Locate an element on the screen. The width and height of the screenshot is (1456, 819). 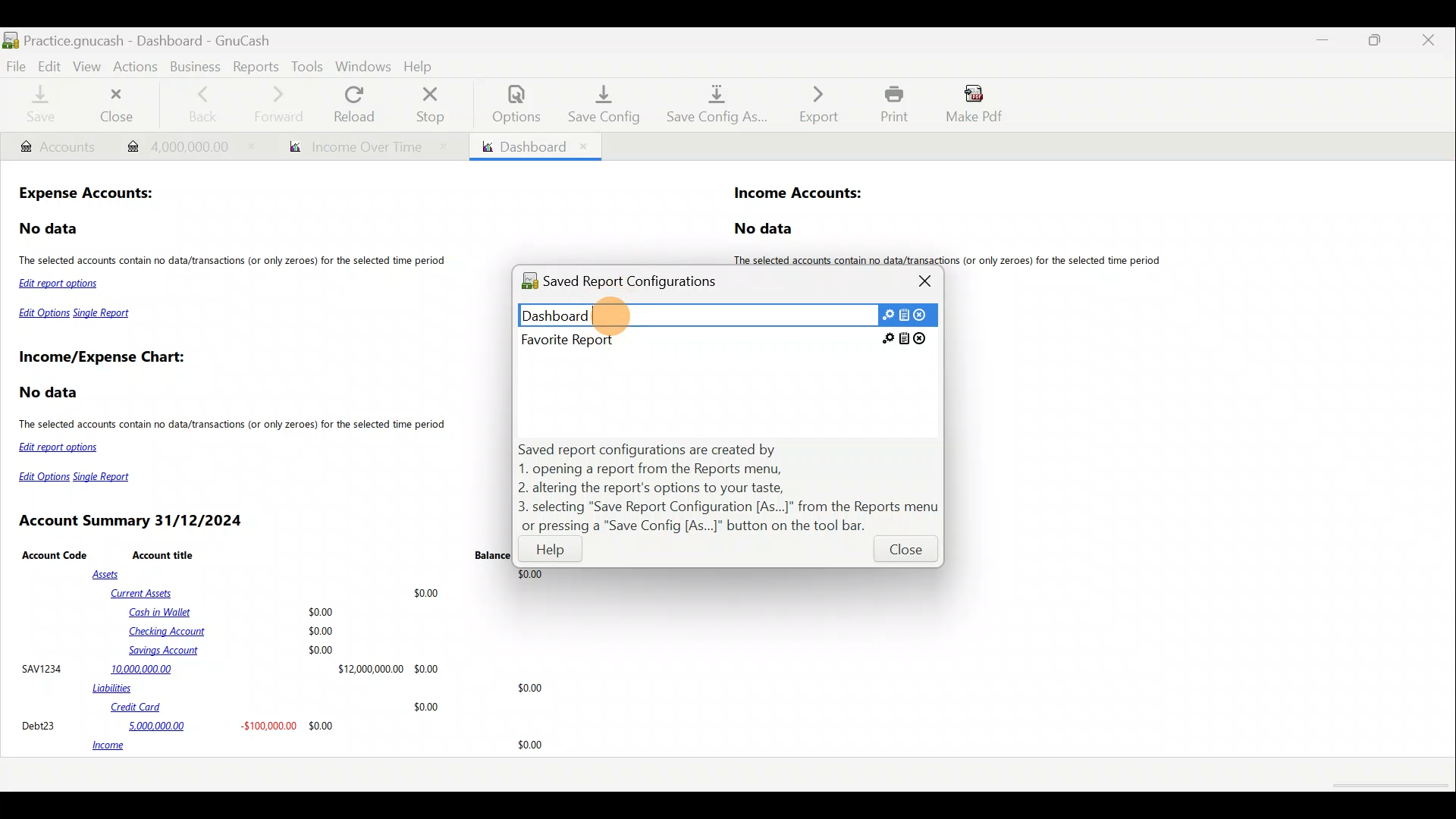
Income/Expense Chart: is located at coordinates (102, 359).